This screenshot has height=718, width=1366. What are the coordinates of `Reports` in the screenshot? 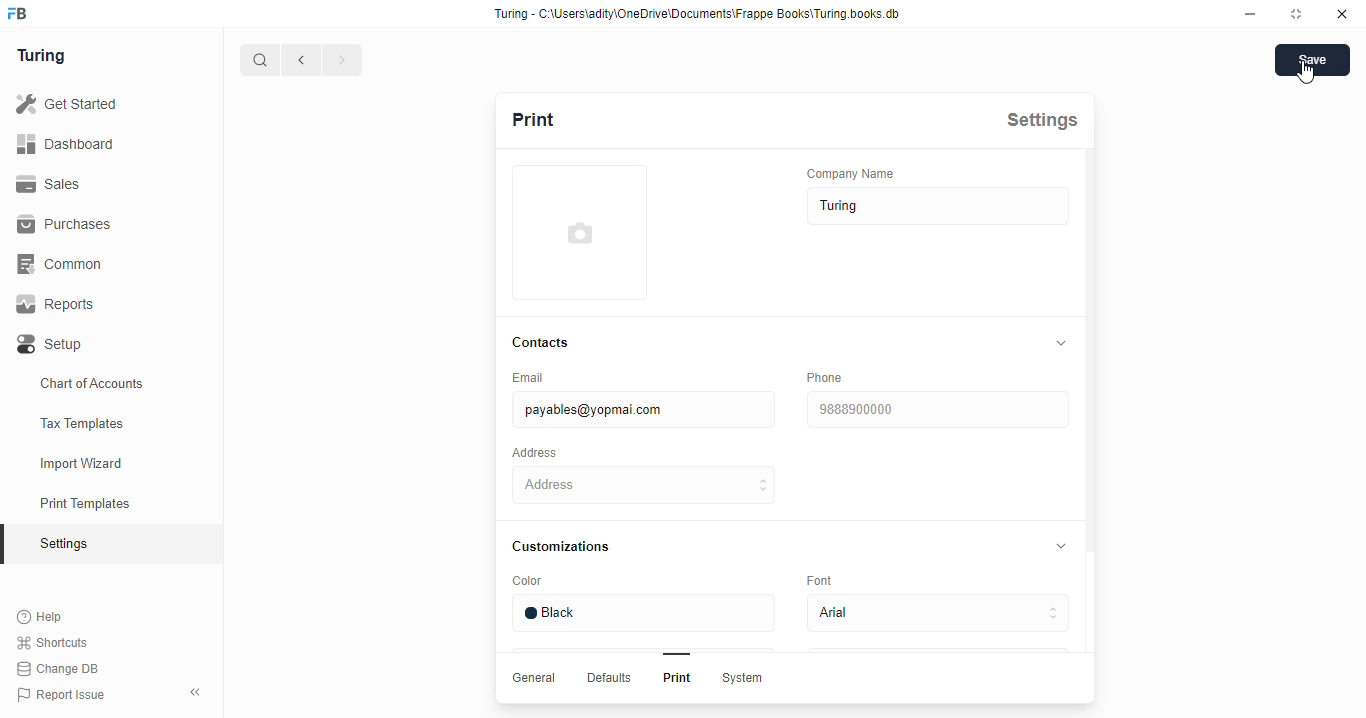 It's located at (63, 305).